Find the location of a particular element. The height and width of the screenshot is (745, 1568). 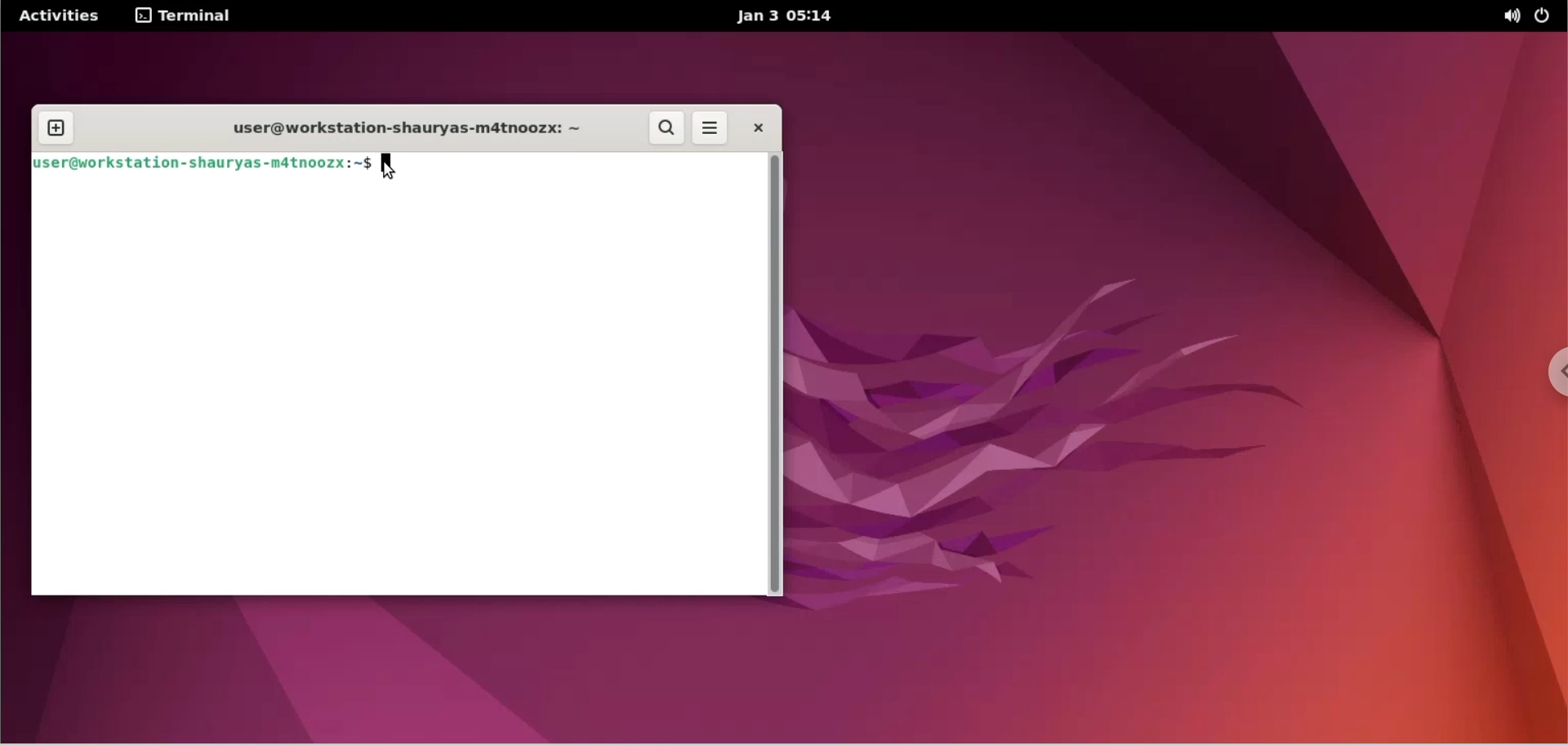

scrollbar is located at coordinates (778, 372).